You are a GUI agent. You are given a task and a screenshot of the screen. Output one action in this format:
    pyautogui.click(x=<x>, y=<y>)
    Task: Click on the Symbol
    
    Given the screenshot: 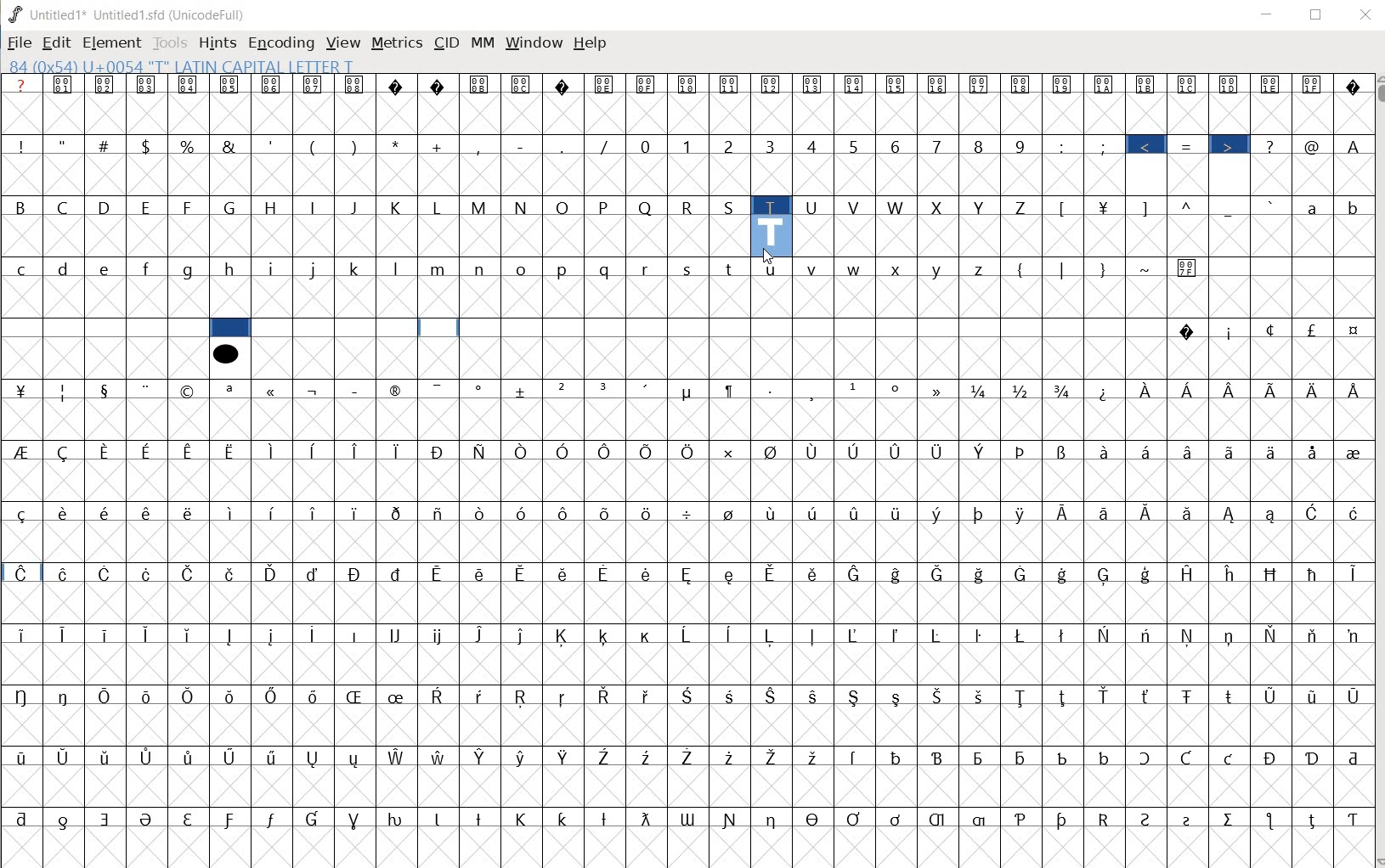 What is the action you would take?
    pyautogui.click(x=732, y=695)
    